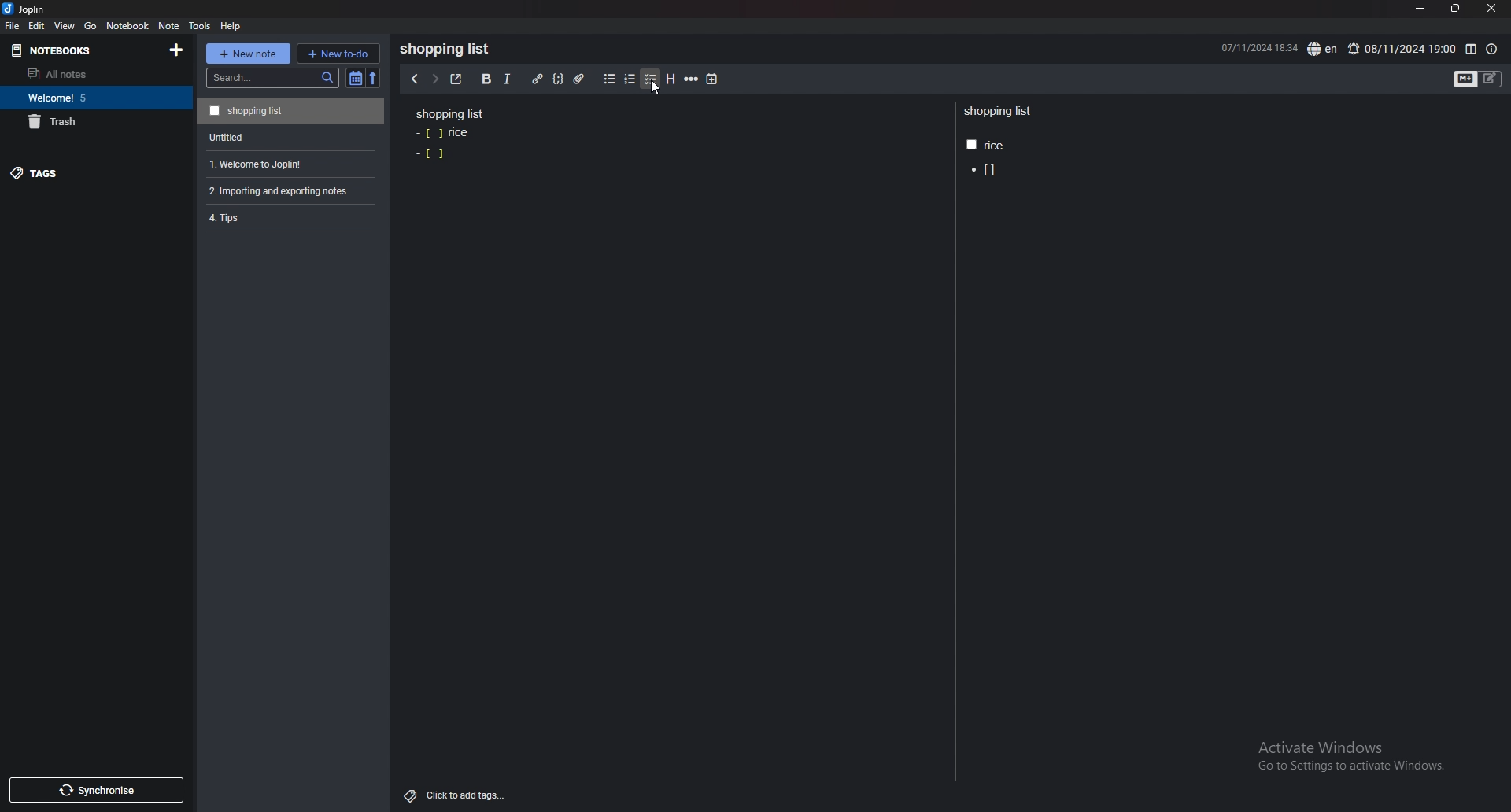  Describe the element at coordinates (434, 78) in the screenshot. I see `next` at that location.